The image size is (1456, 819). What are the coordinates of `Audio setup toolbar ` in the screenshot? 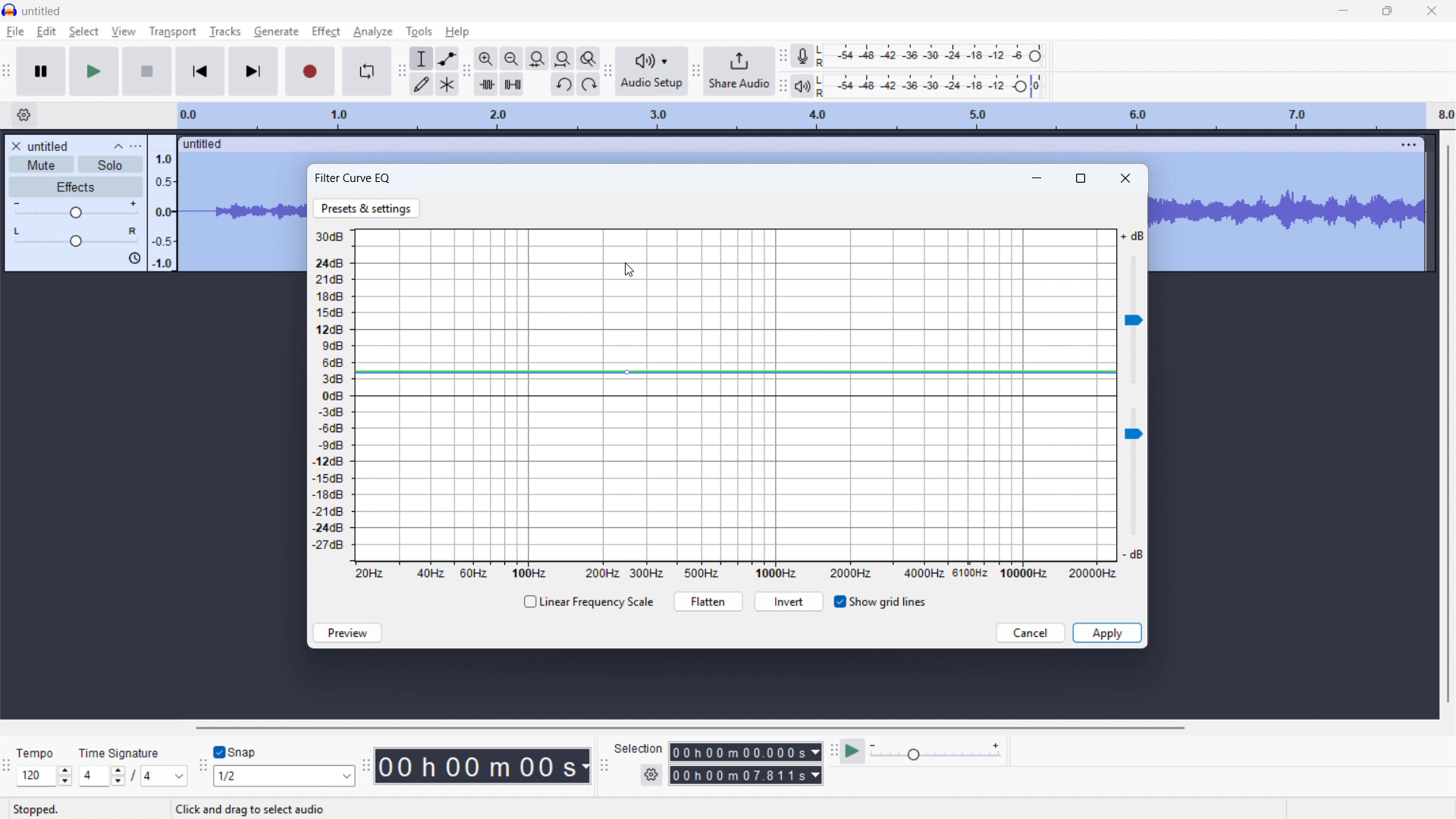 It's located at (608, 72).